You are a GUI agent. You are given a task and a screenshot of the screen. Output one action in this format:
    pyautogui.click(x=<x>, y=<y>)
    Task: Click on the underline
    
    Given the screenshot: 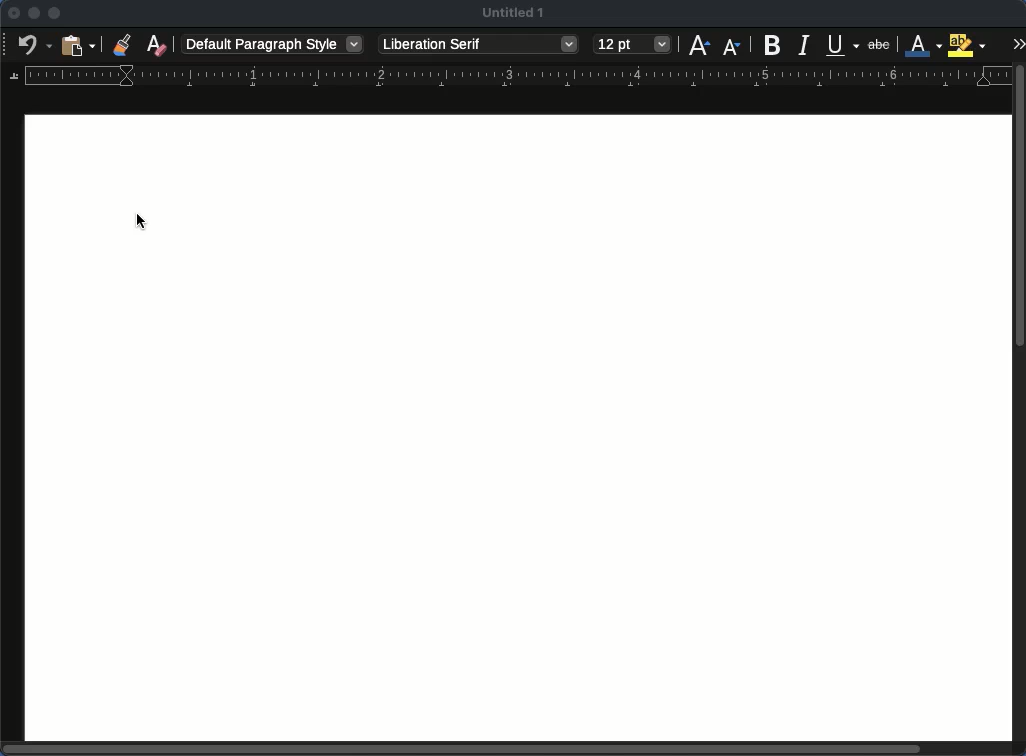 What is the action you would take?
    pyautogui.click(x=842, y=42)
    